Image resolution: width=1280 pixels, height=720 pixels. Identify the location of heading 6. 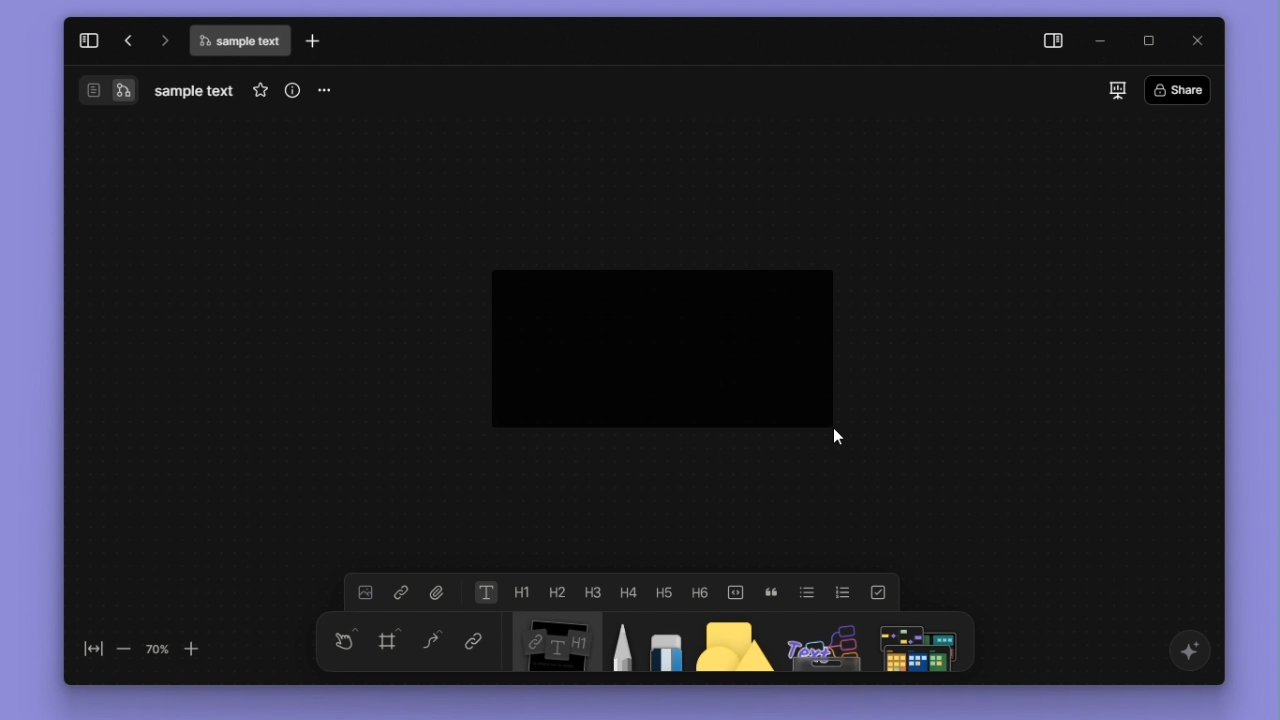
(702, 591).